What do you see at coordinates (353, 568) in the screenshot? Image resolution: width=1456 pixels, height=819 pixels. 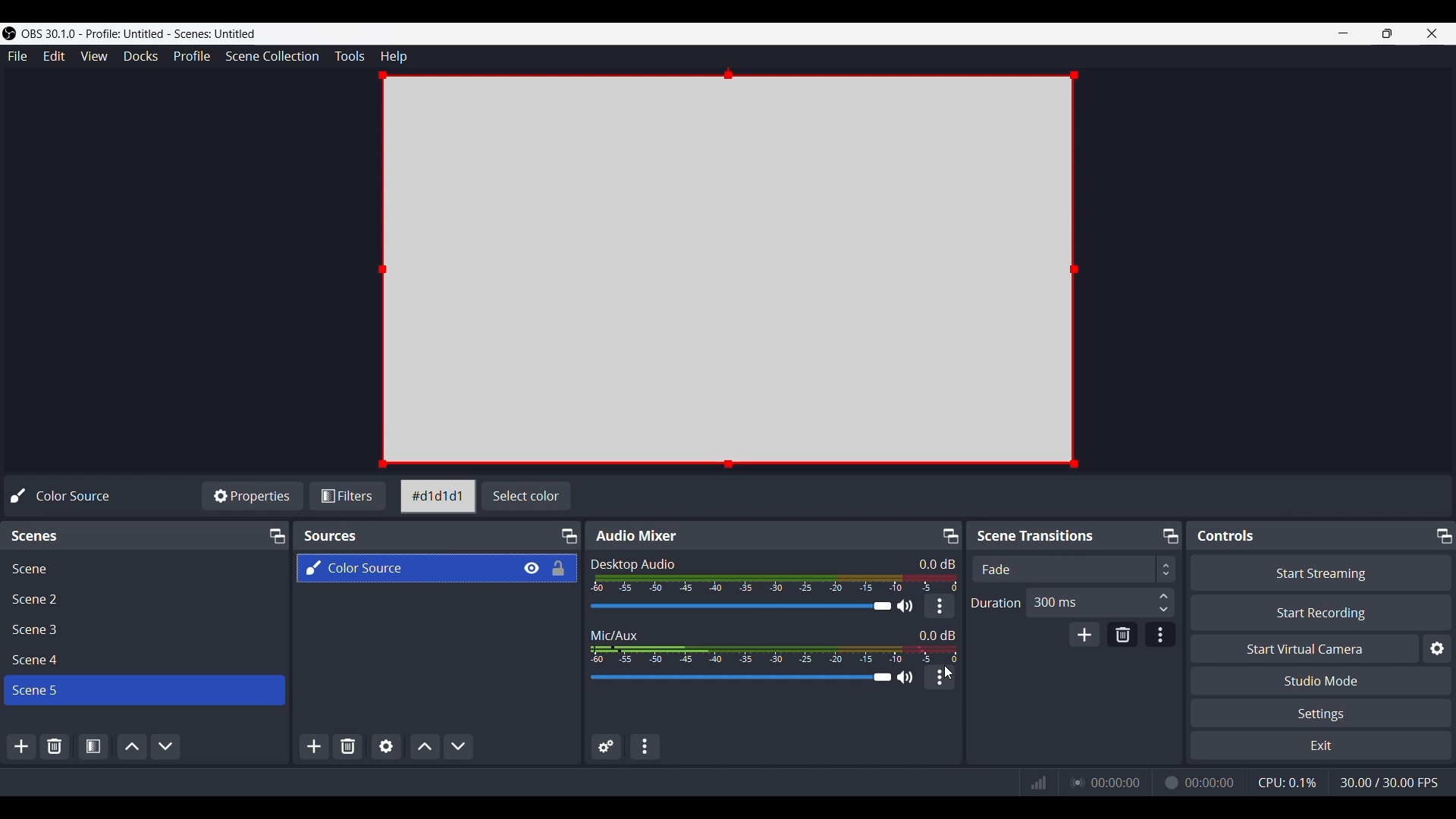 I see `New source added using the + option` at bounding box center [353, 568].